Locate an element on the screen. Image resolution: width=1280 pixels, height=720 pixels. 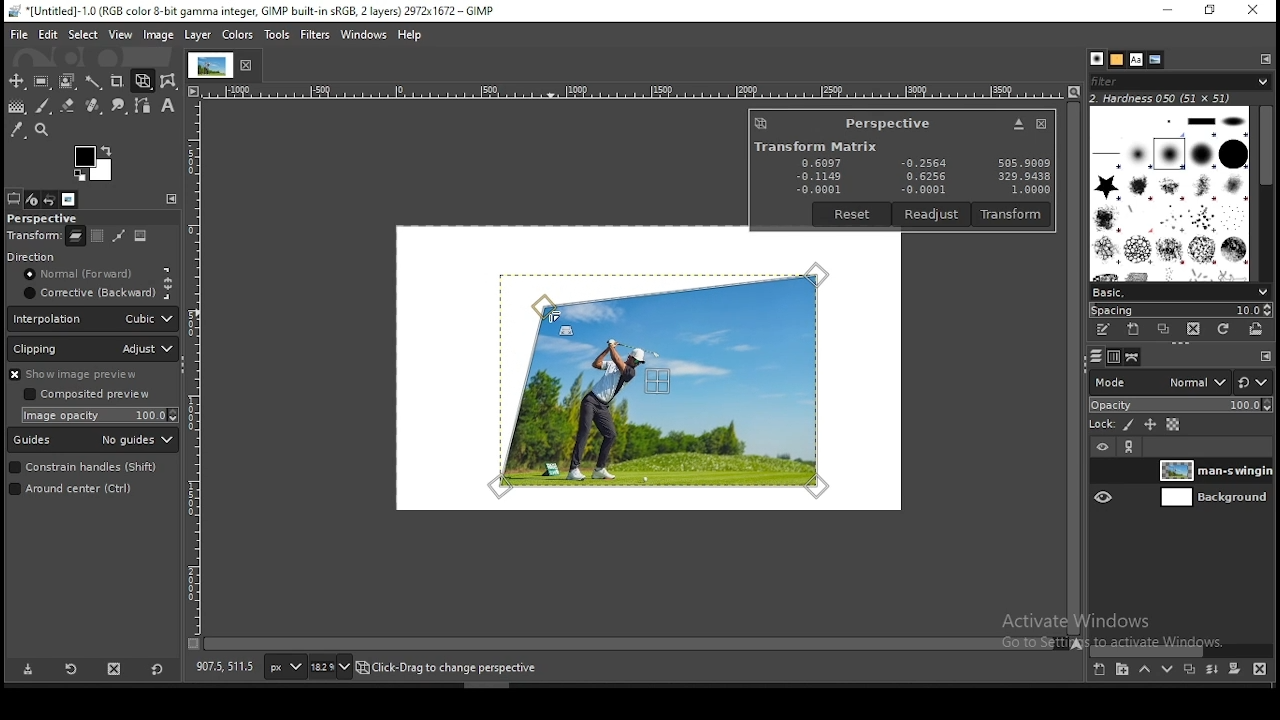
fuzzy select tool is located at coordinates (95, 83).